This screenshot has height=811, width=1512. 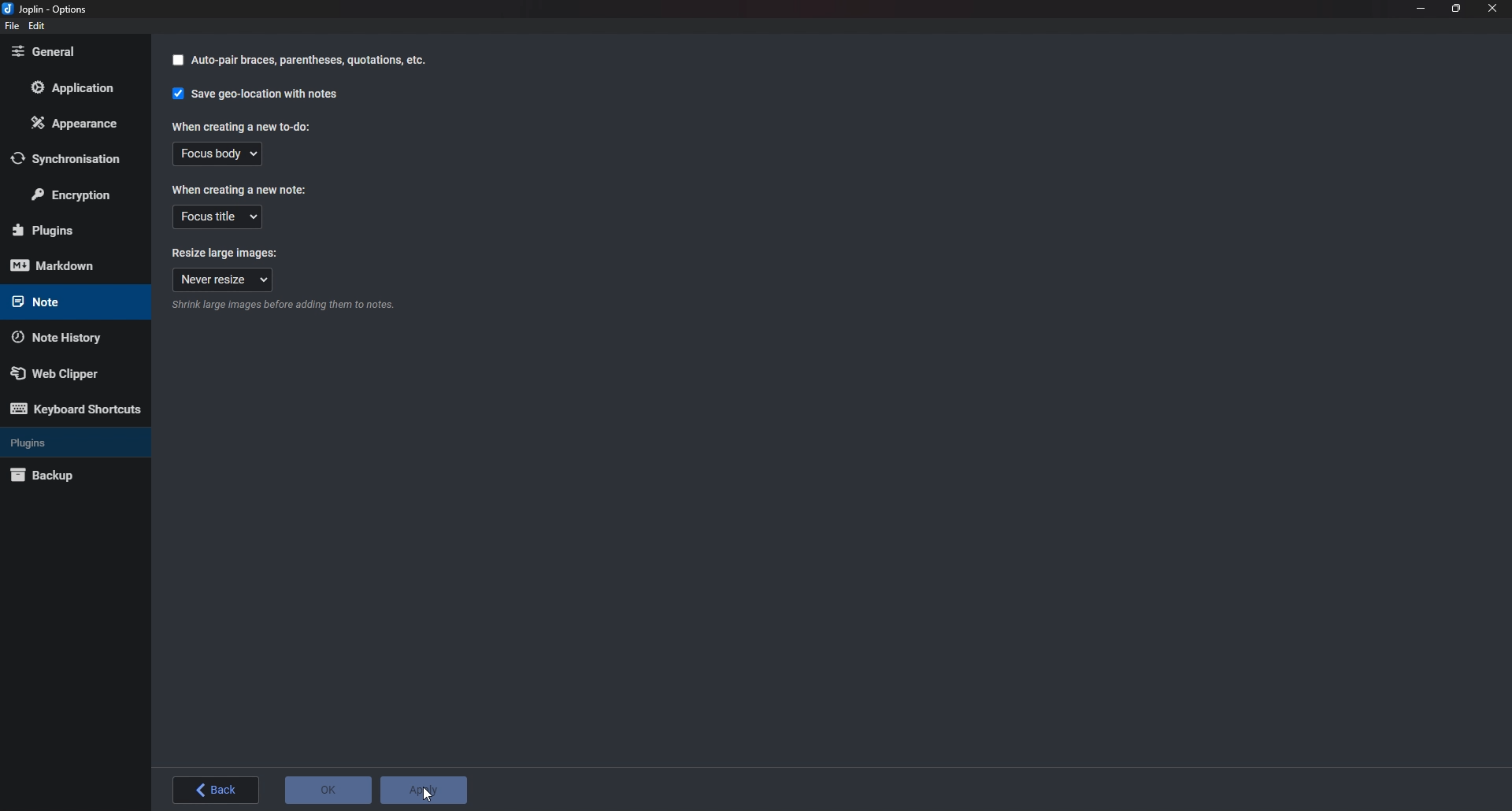 What do you see at coordinates (35, 25) in the screenshot?
I see `edit` at bounding box center [35, 25].